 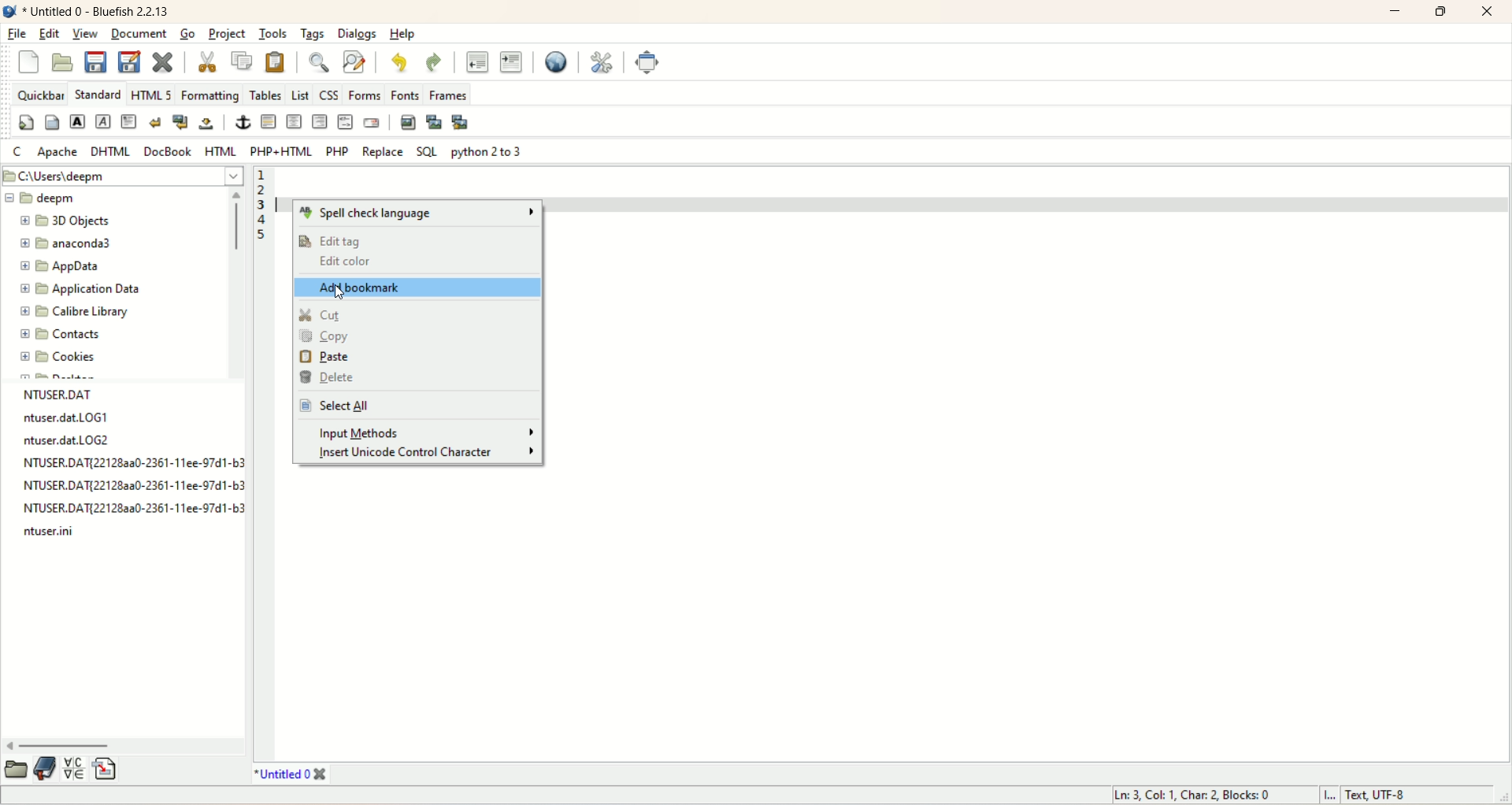 What do you see at coordinates (427, 151) in the screenshot?
I see `SQL` at bounding box center [427, 151].